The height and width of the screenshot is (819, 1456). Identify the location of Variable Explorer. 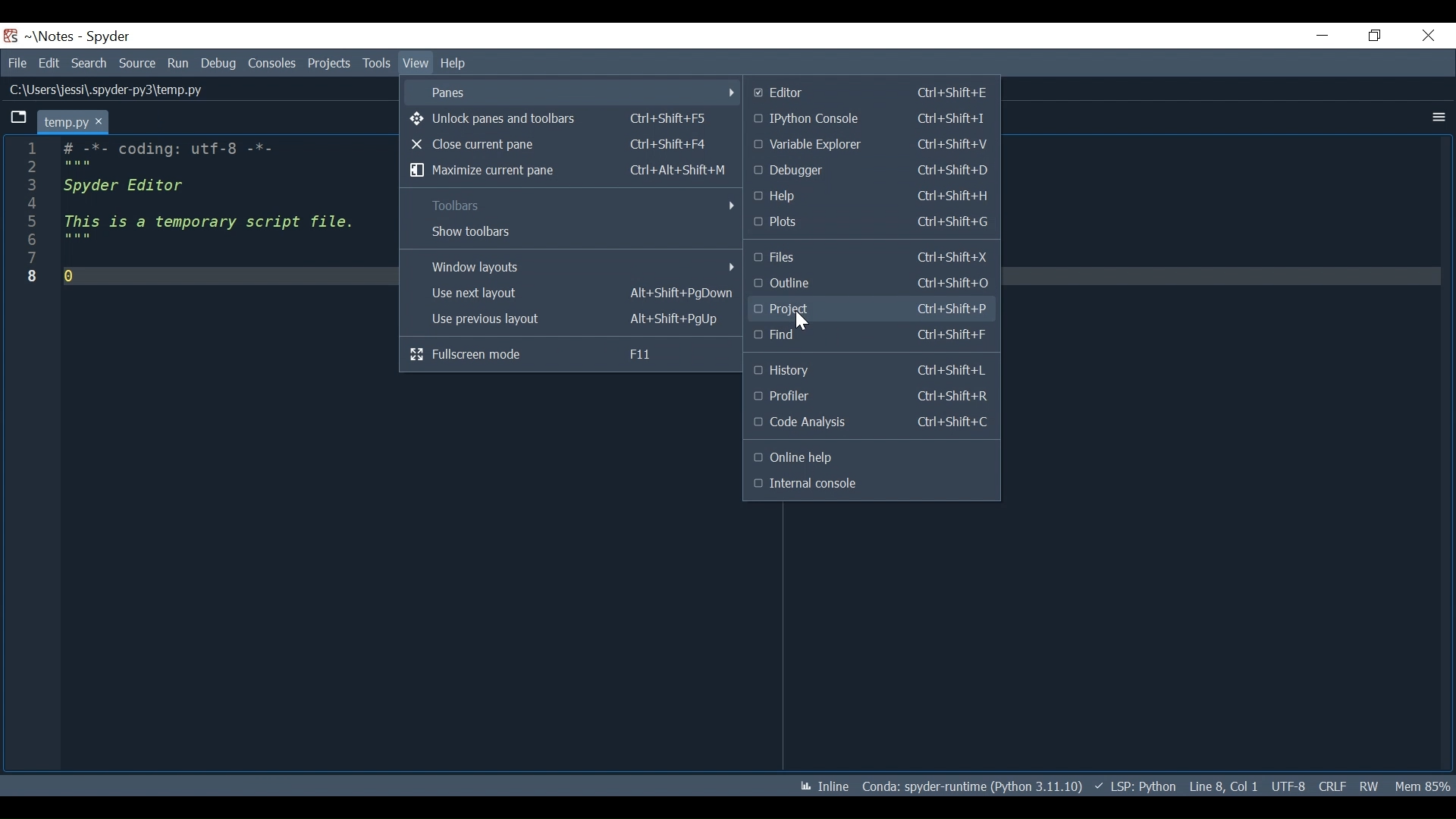
(872, 145).